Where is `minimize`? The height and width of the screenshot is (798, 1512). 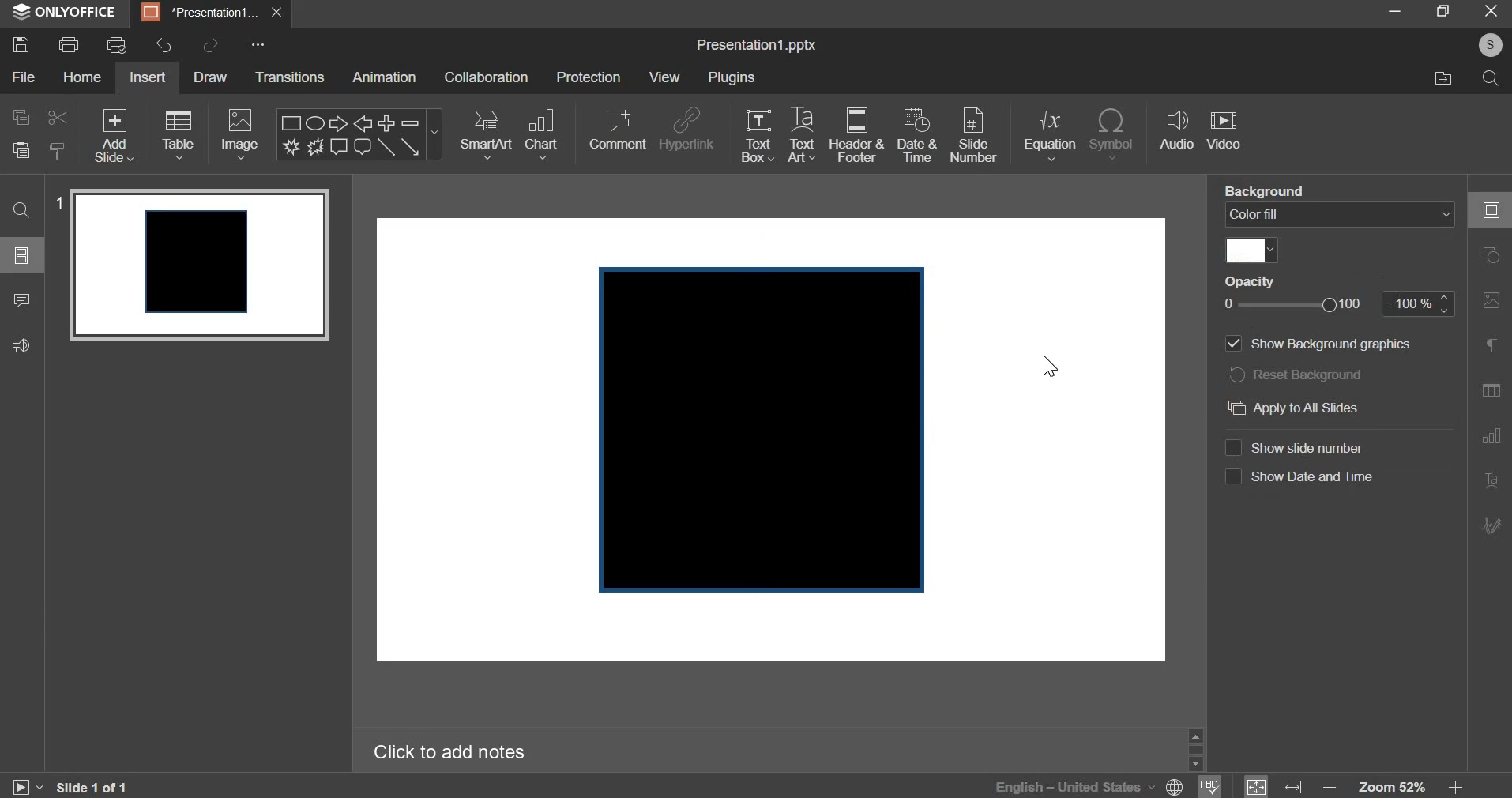
minimize is located at coordinates (1394, 11).